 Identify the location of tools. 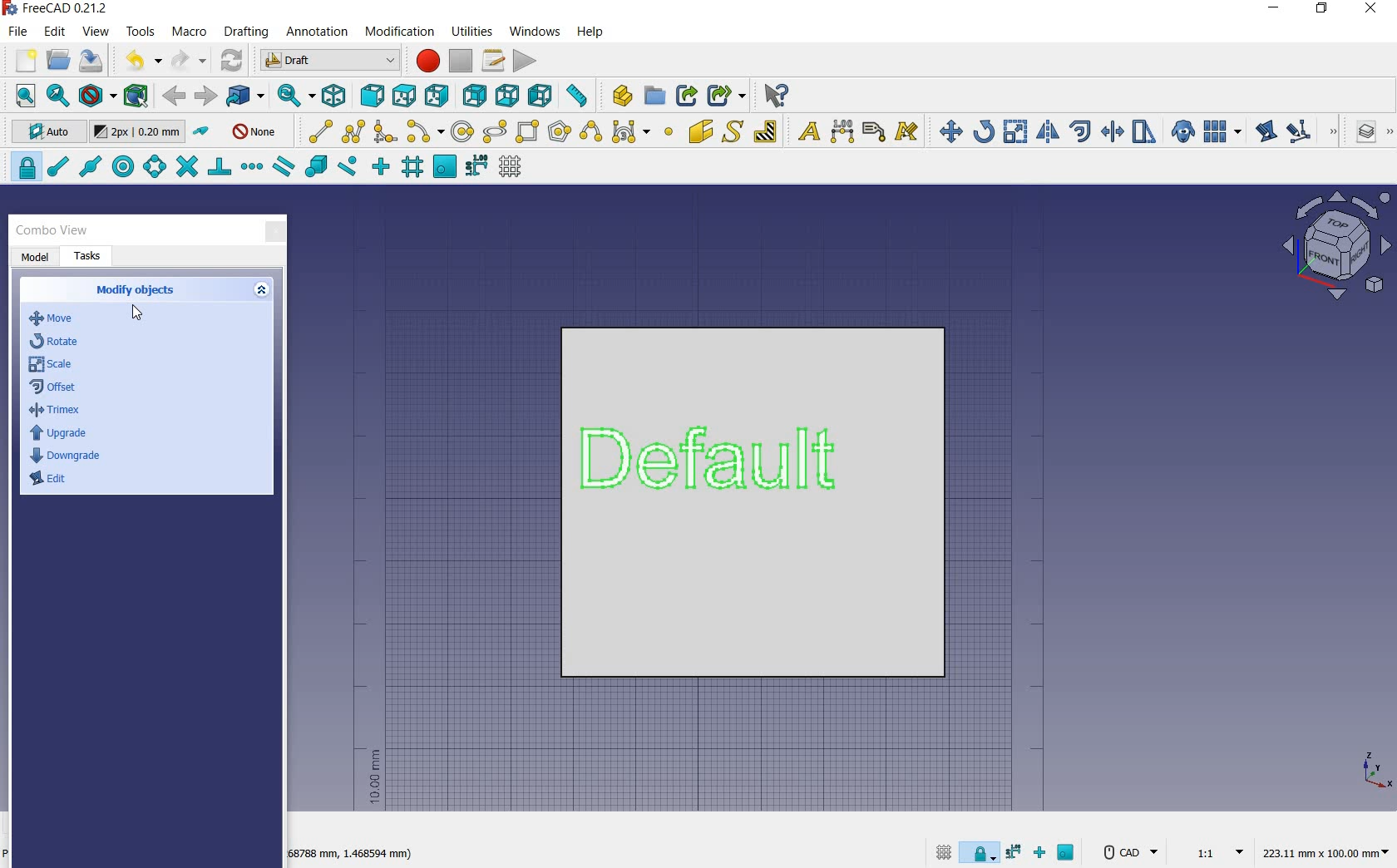
(141, 31).